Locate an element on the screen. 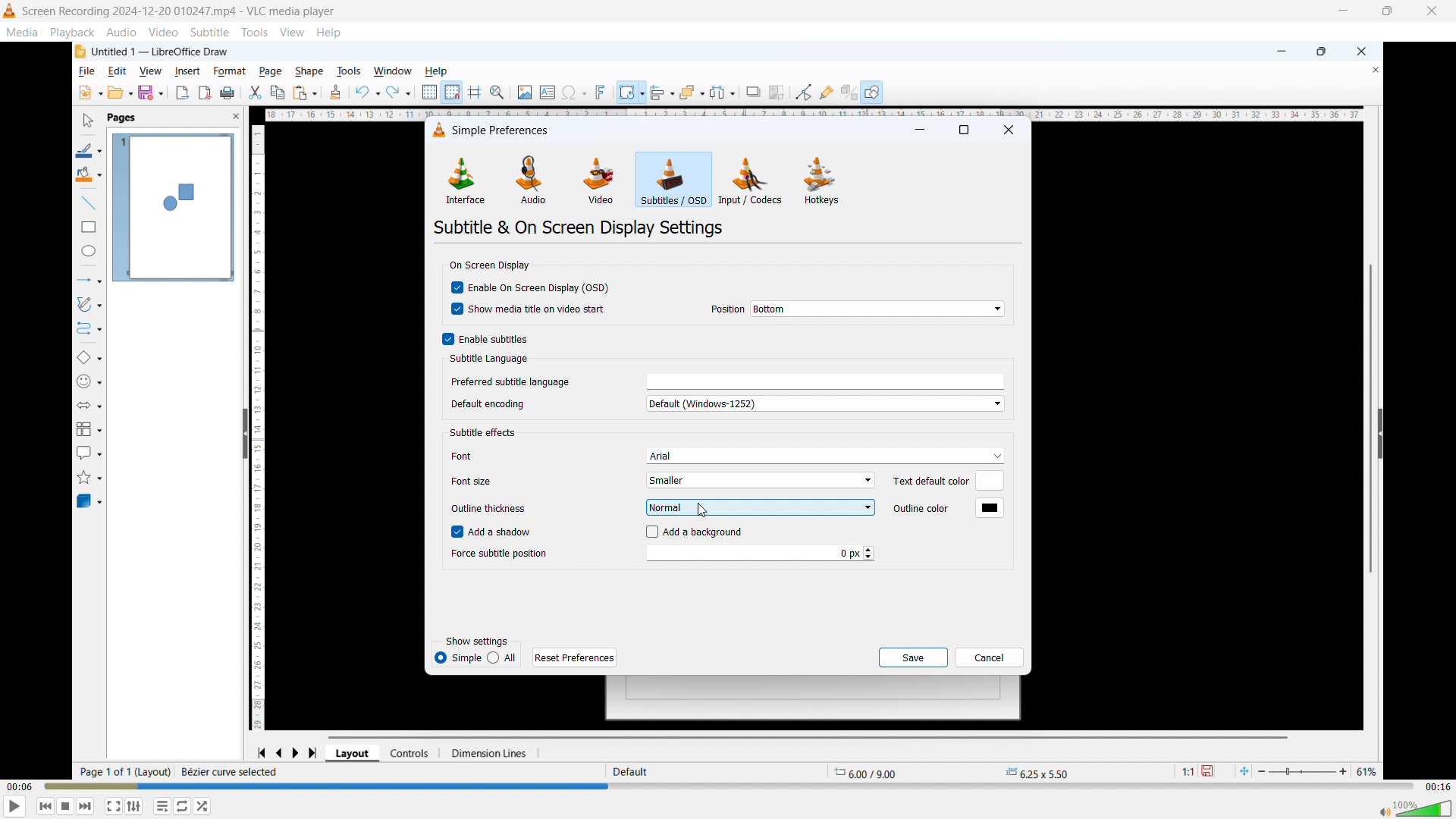  Subtitles or OSD  is located at coordinates (674, 180).